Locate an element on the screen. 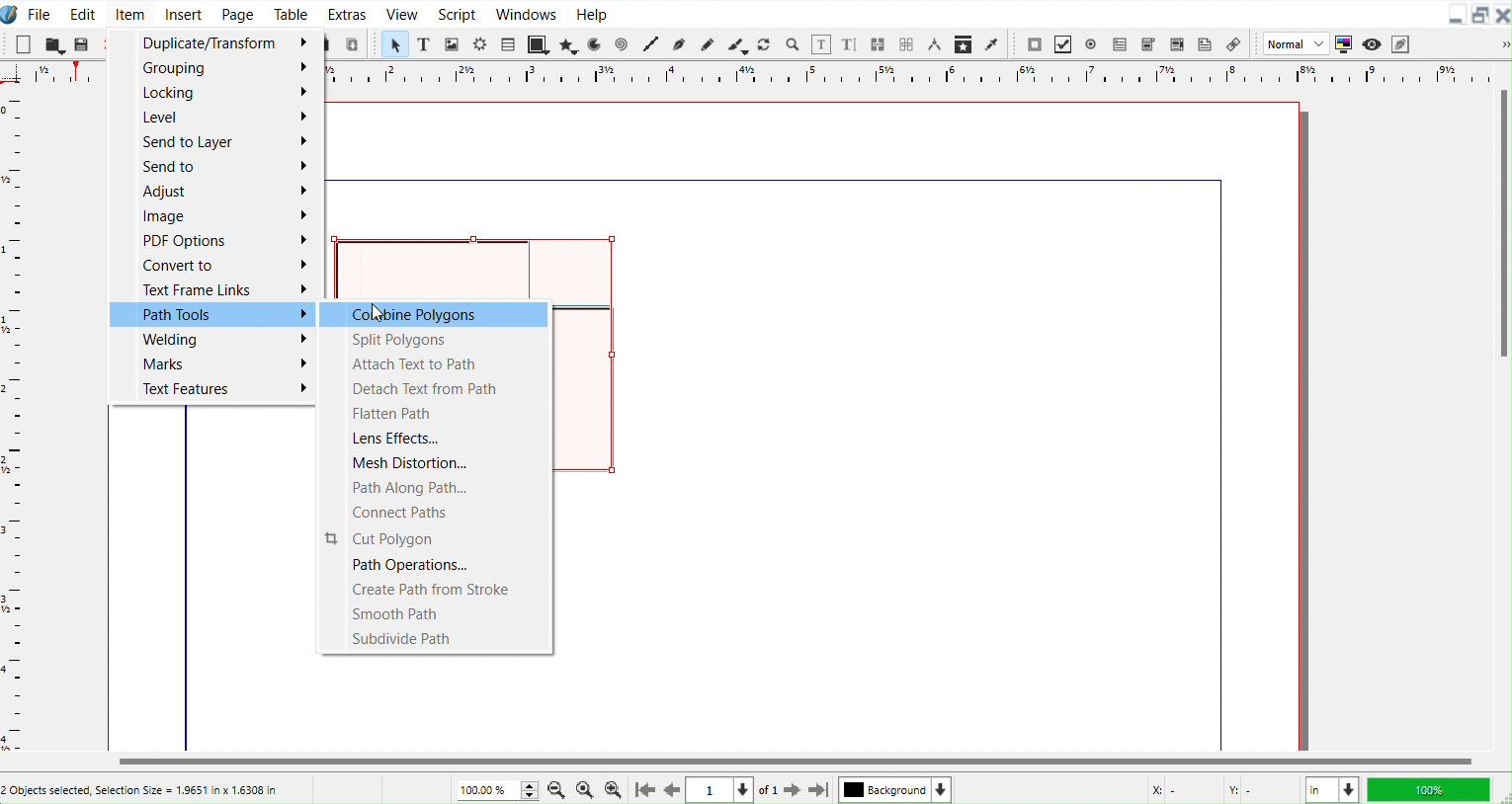 The image size is (1512, 804). Lens Effects is located at coordinates (434, 436).